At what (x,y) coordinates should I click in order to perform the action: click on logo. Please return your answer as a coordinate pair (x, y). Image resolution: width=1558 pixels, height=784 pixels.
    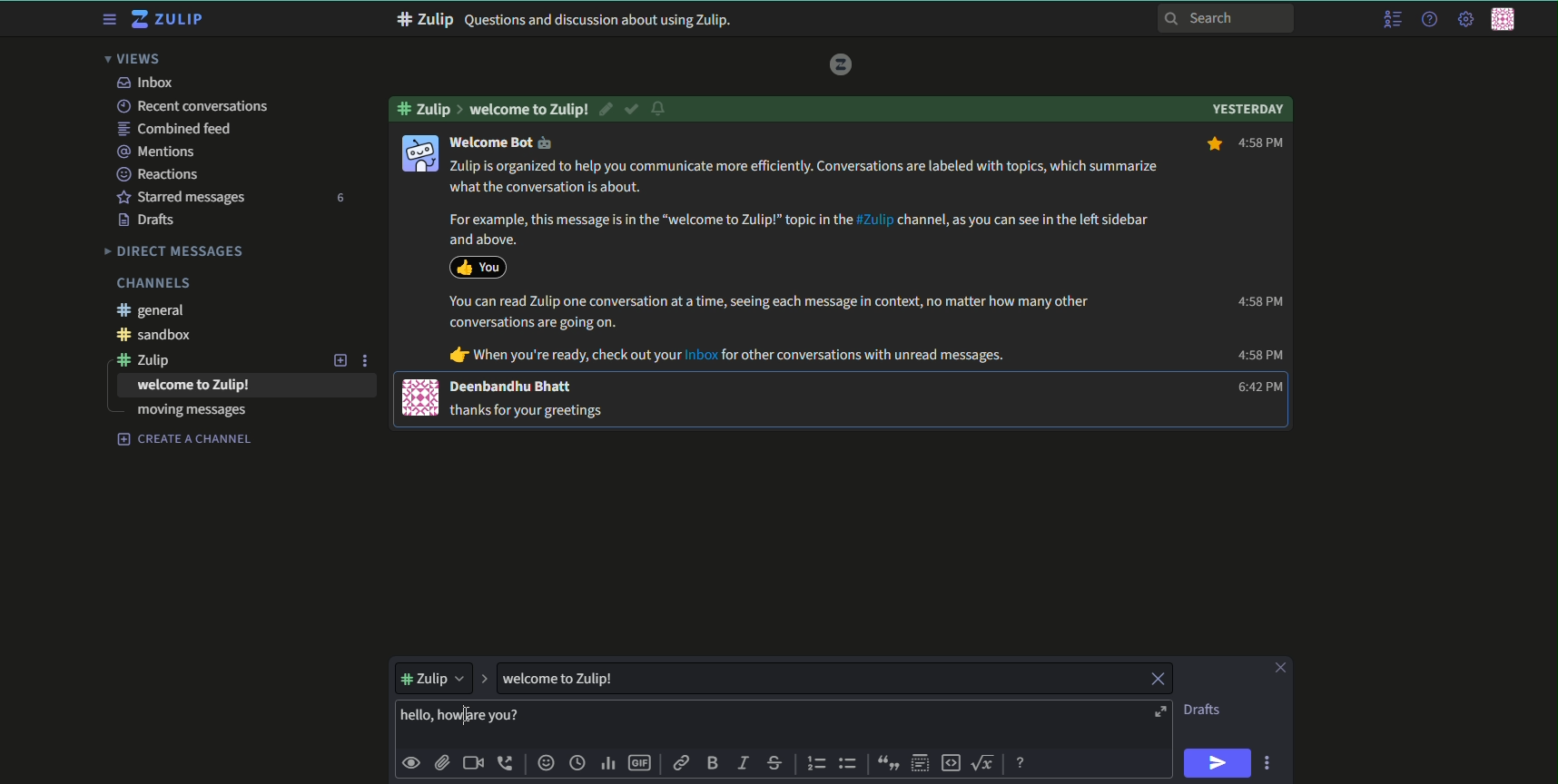
    Looking at the image, I should click on (842, 64).